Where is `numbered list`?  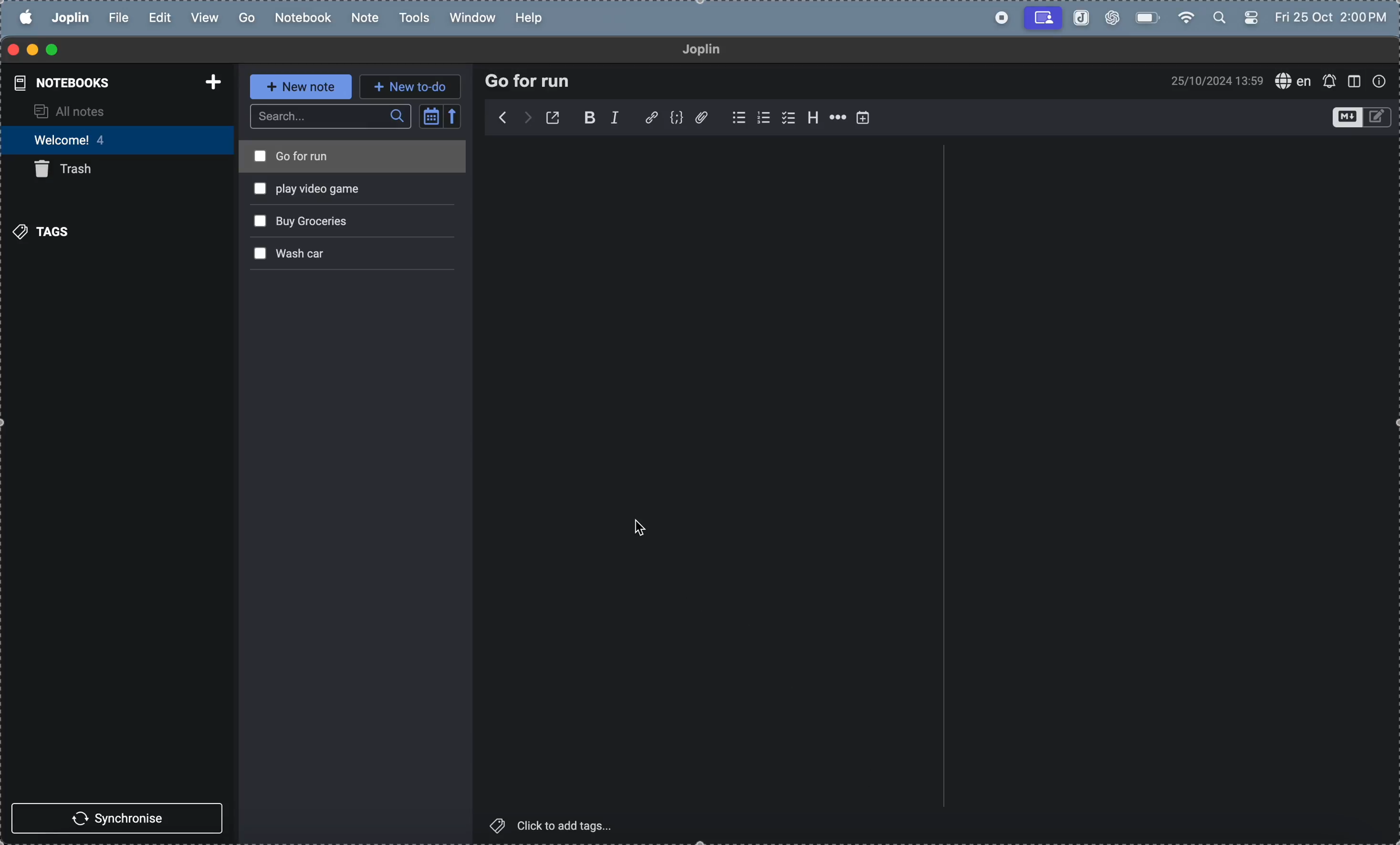 numbered list is located at coordinates (767, 118).